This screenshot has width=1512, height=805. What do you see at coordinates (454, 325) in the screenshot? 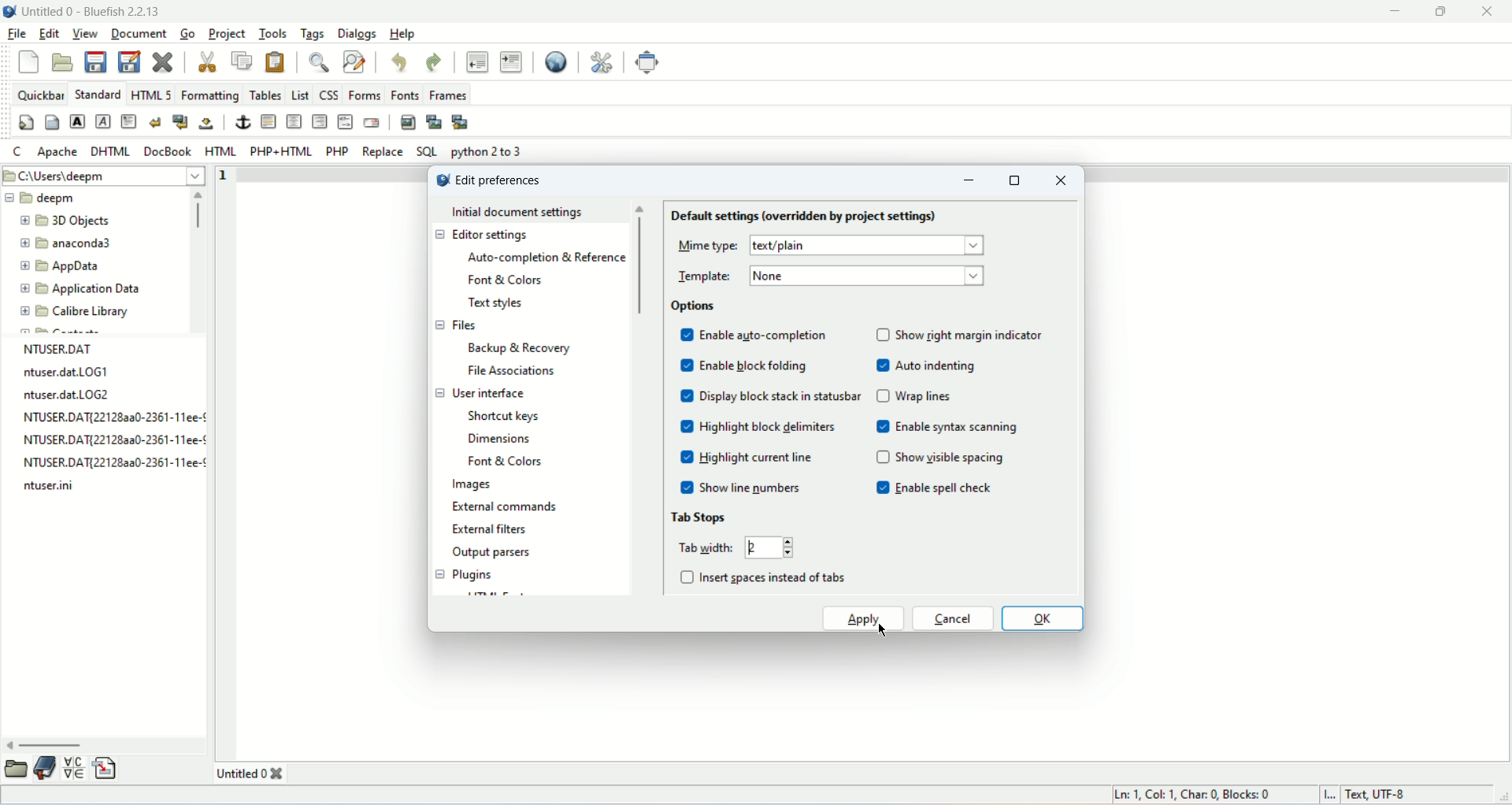
I see `files` at bounding box center [454, 325].